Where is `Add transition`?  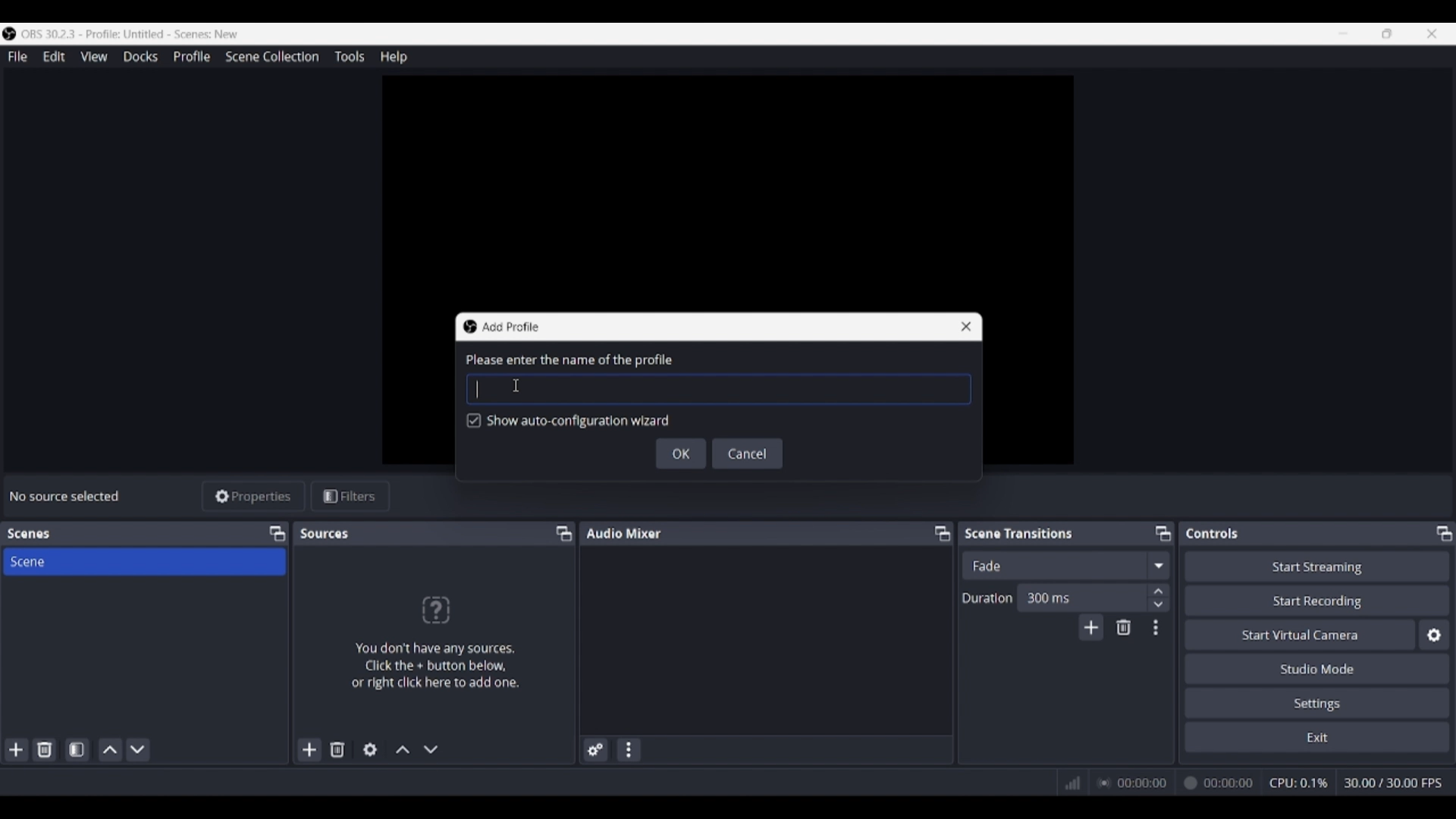 Add transition is located at coordinates (1090, 627).